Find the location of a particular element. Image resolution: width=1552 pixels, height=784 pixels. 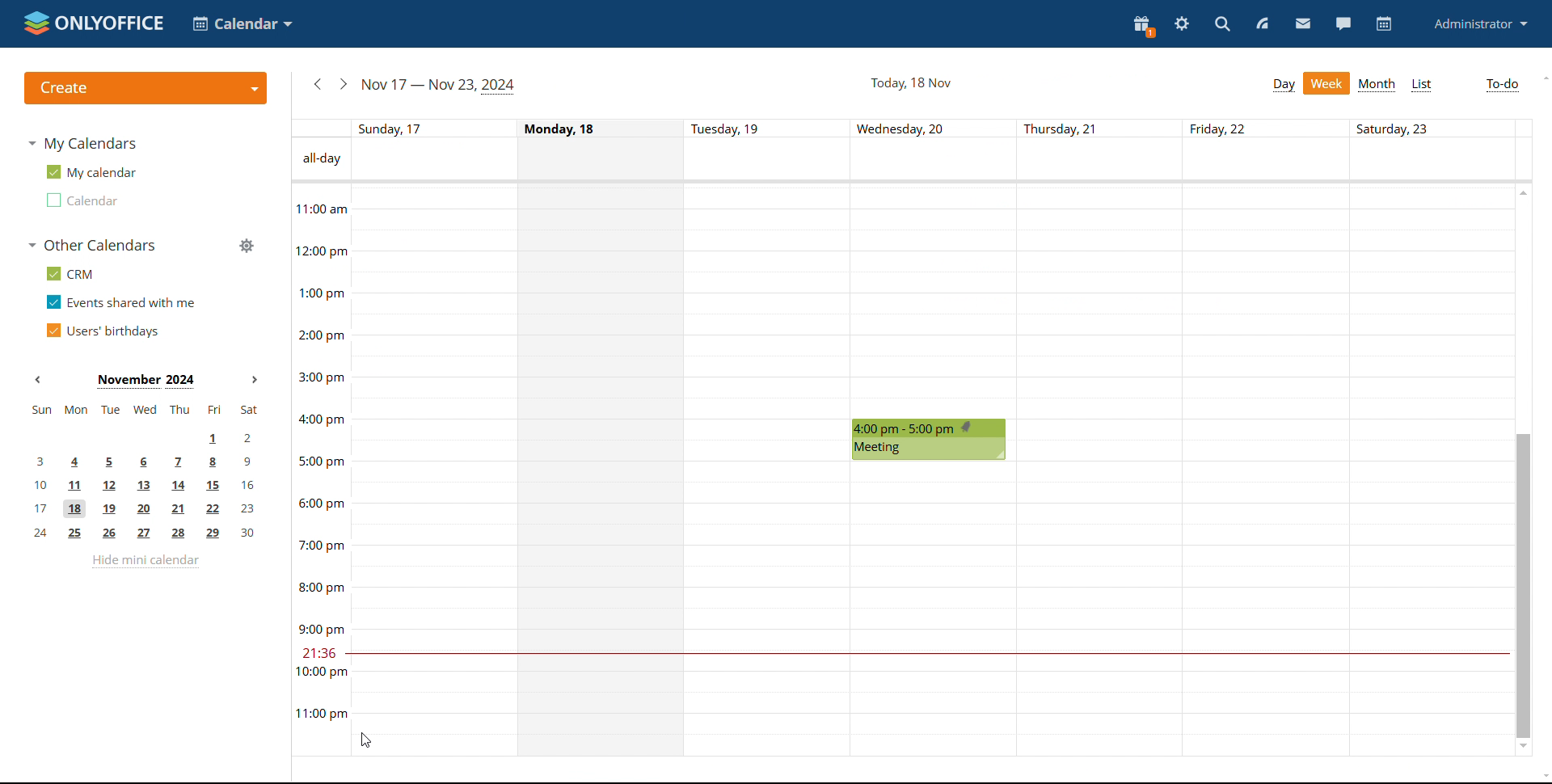

scroll up is located at coordinates (1522, 192).